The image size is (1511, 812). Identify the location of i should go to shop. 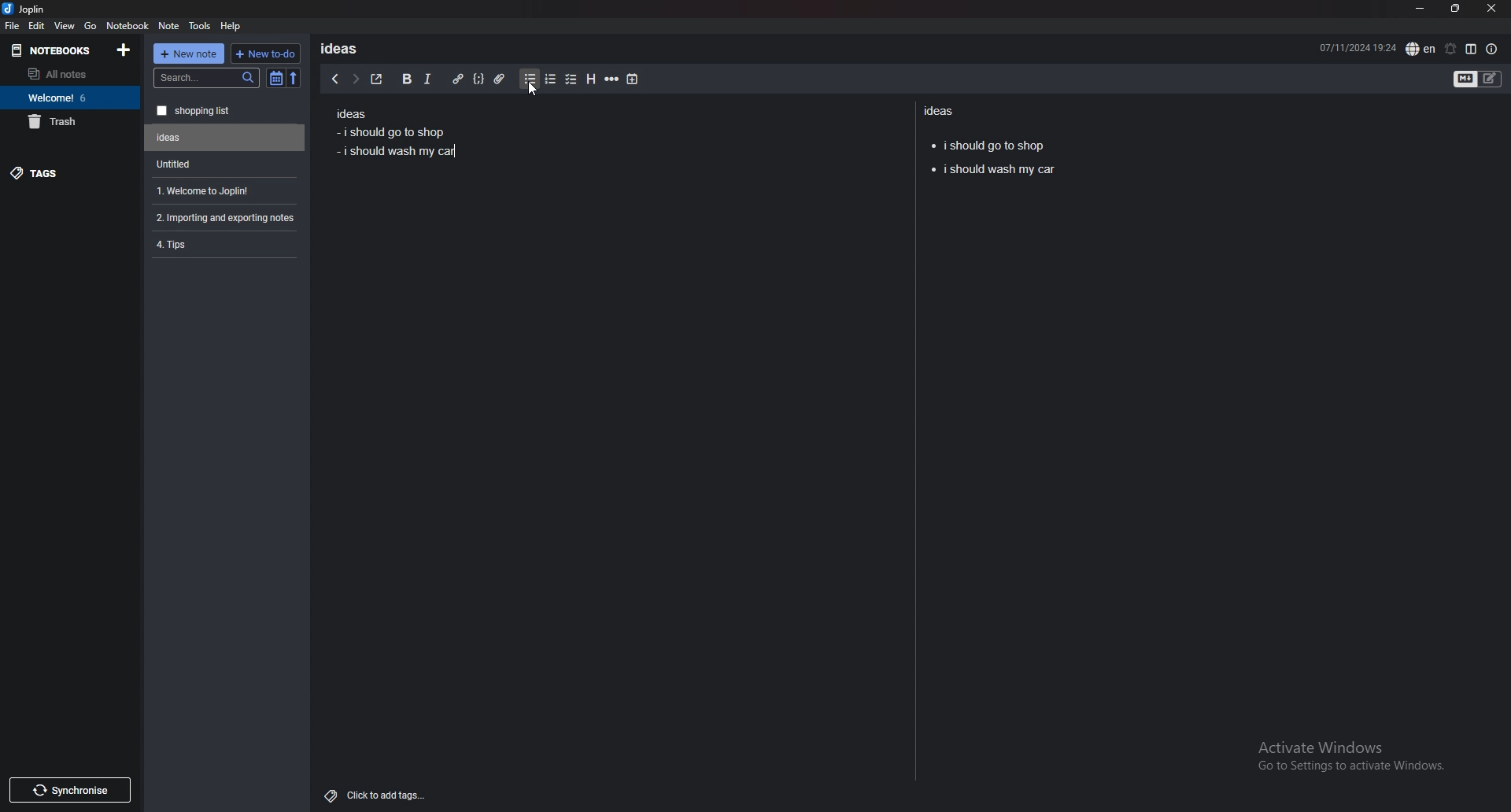
(389, 131).